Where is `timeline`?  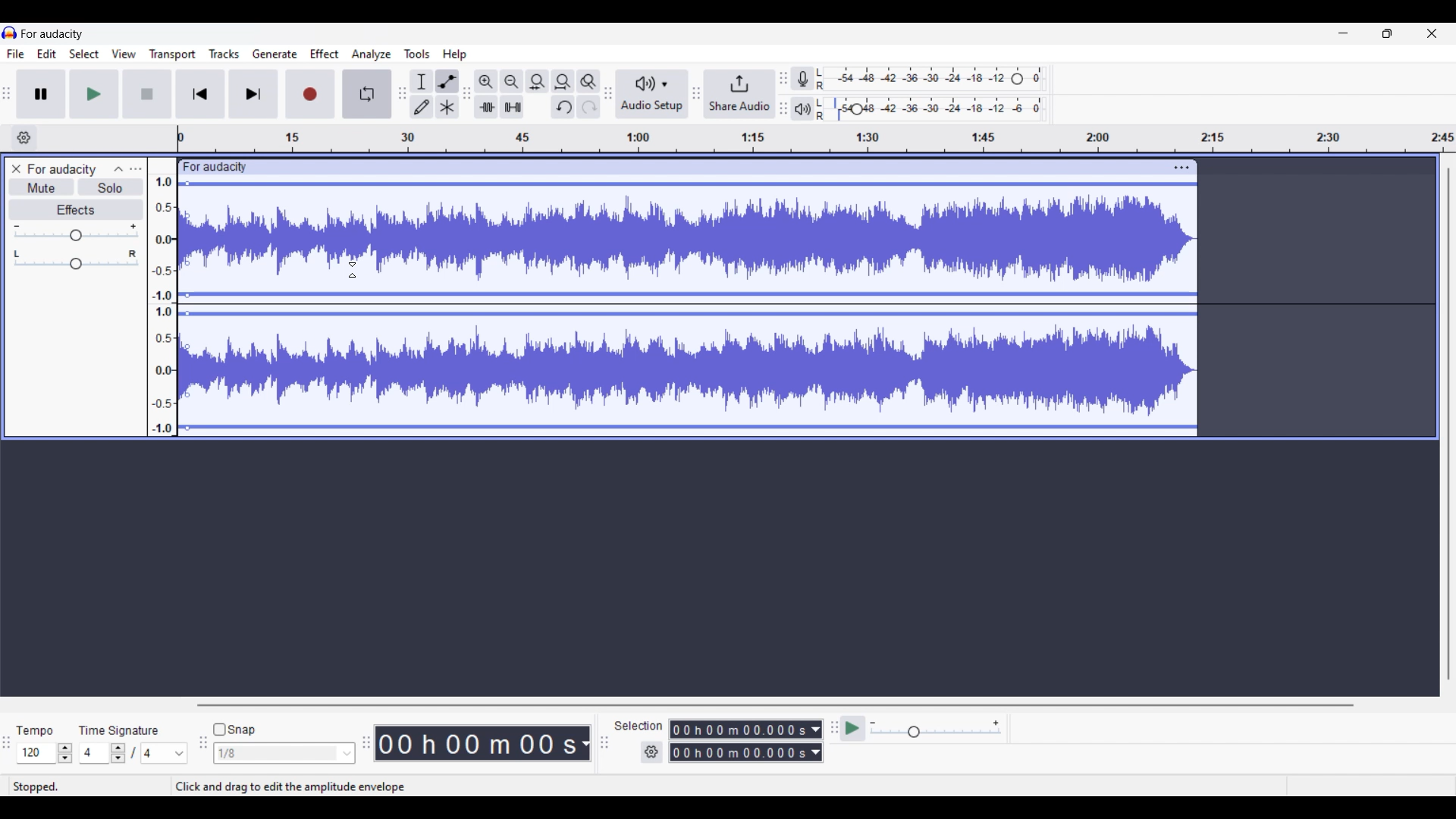
timeline is located at coordinates (816, 139).